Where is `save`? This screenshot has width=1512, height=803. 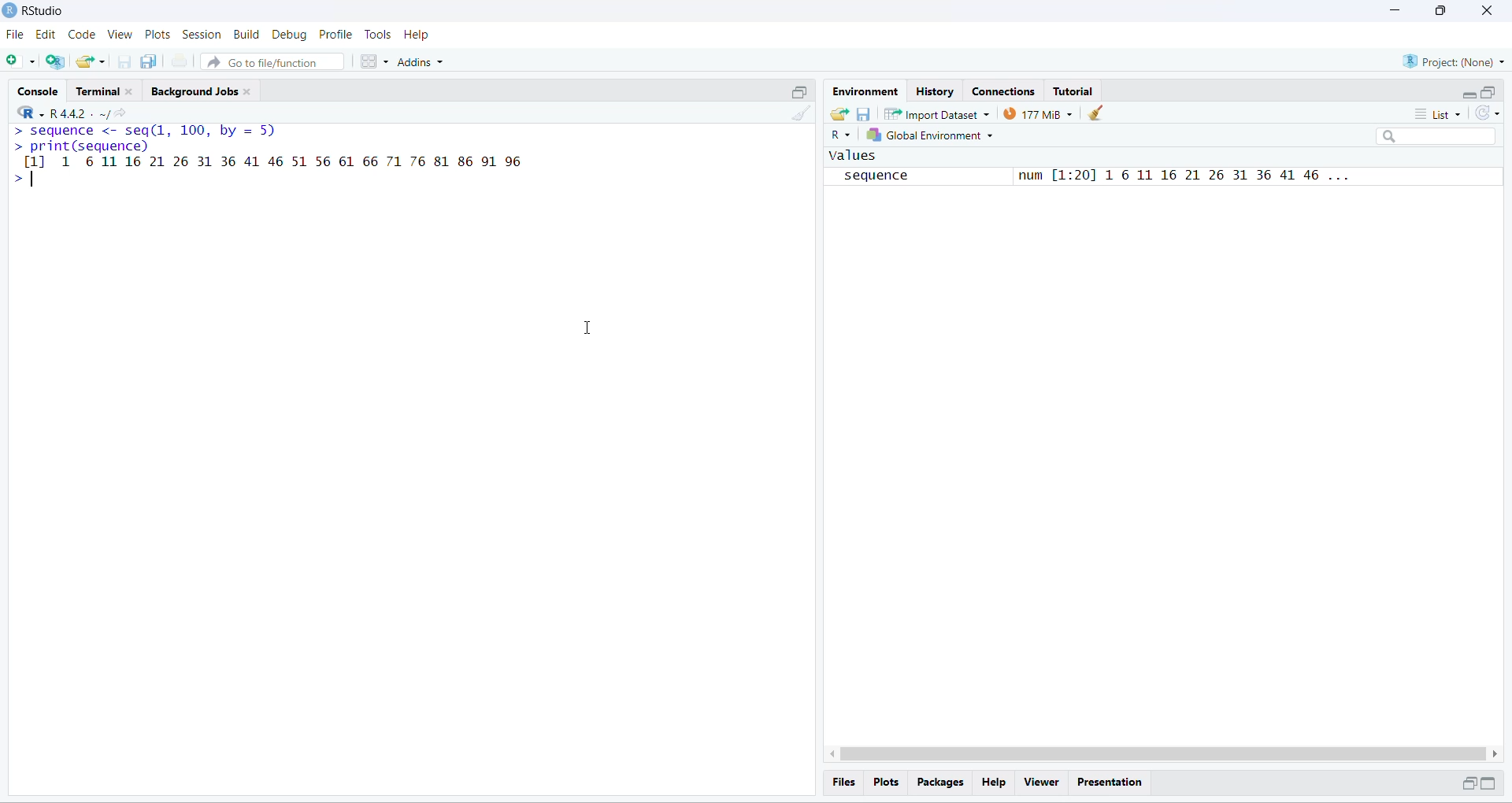 save is located at coordinates (126, 61).